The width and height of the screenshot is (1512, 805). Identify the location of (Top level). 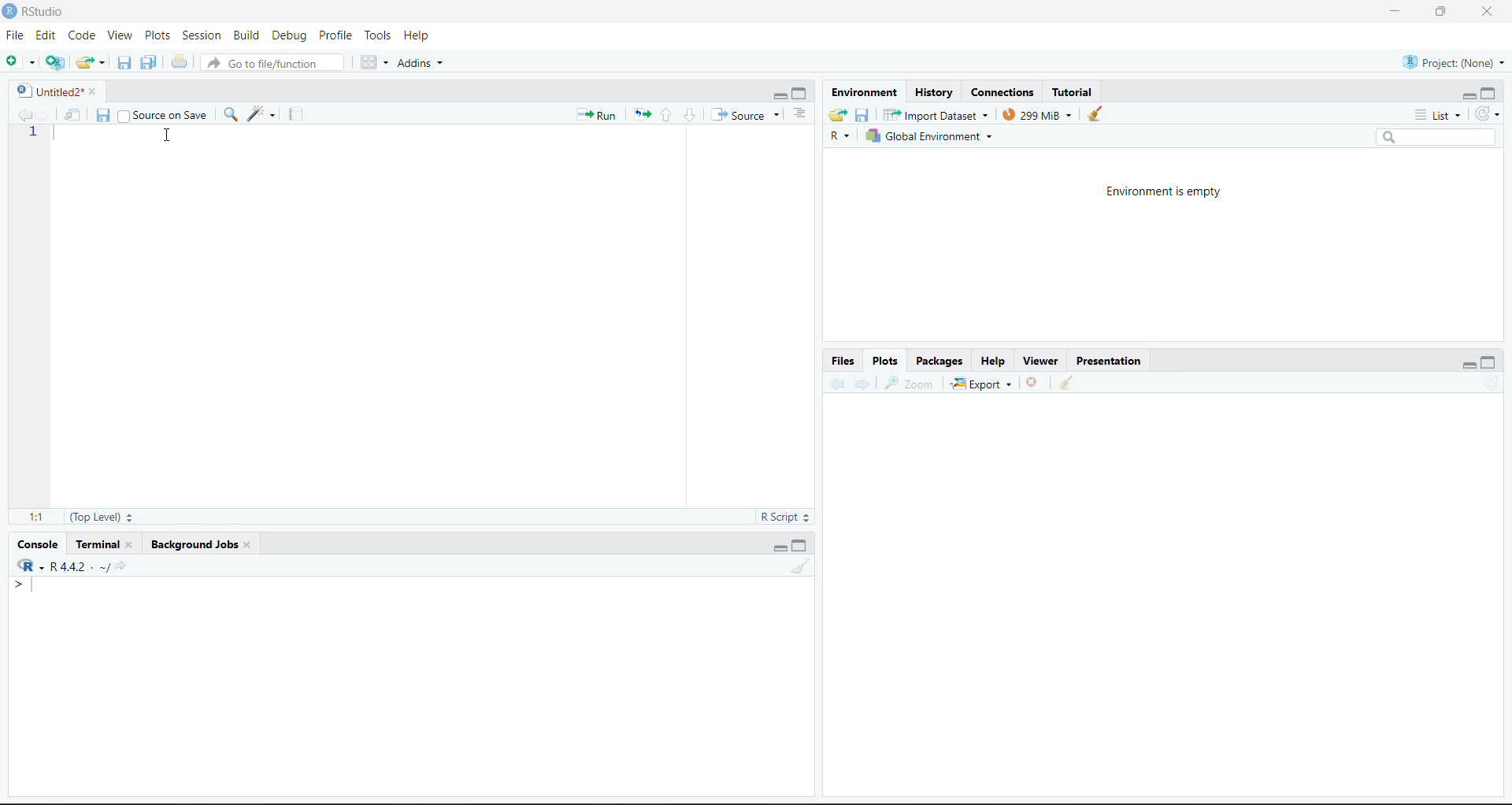
(102, 517).